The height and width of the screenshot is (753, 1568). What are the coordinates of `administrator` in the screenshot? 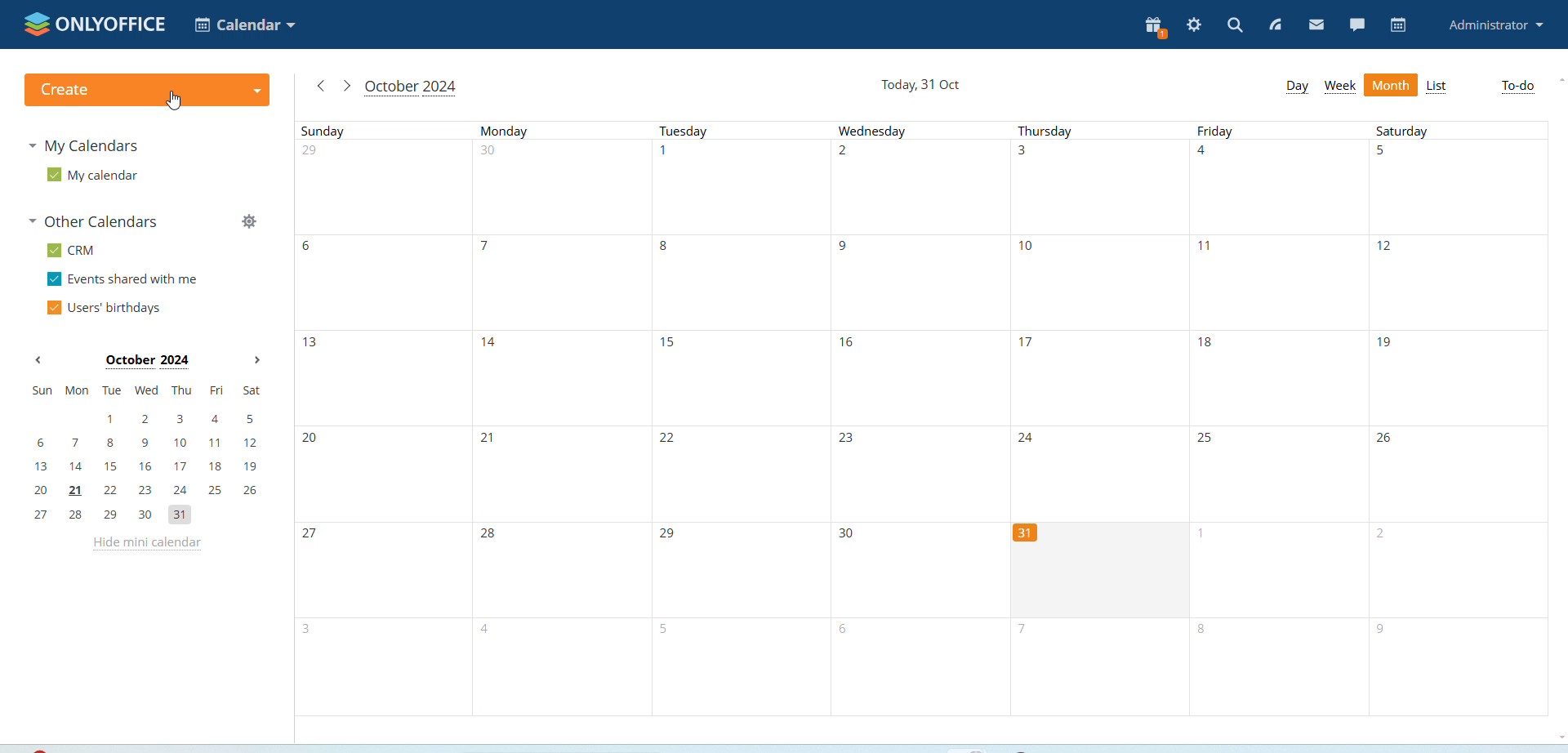 It's located at (1497, 25).